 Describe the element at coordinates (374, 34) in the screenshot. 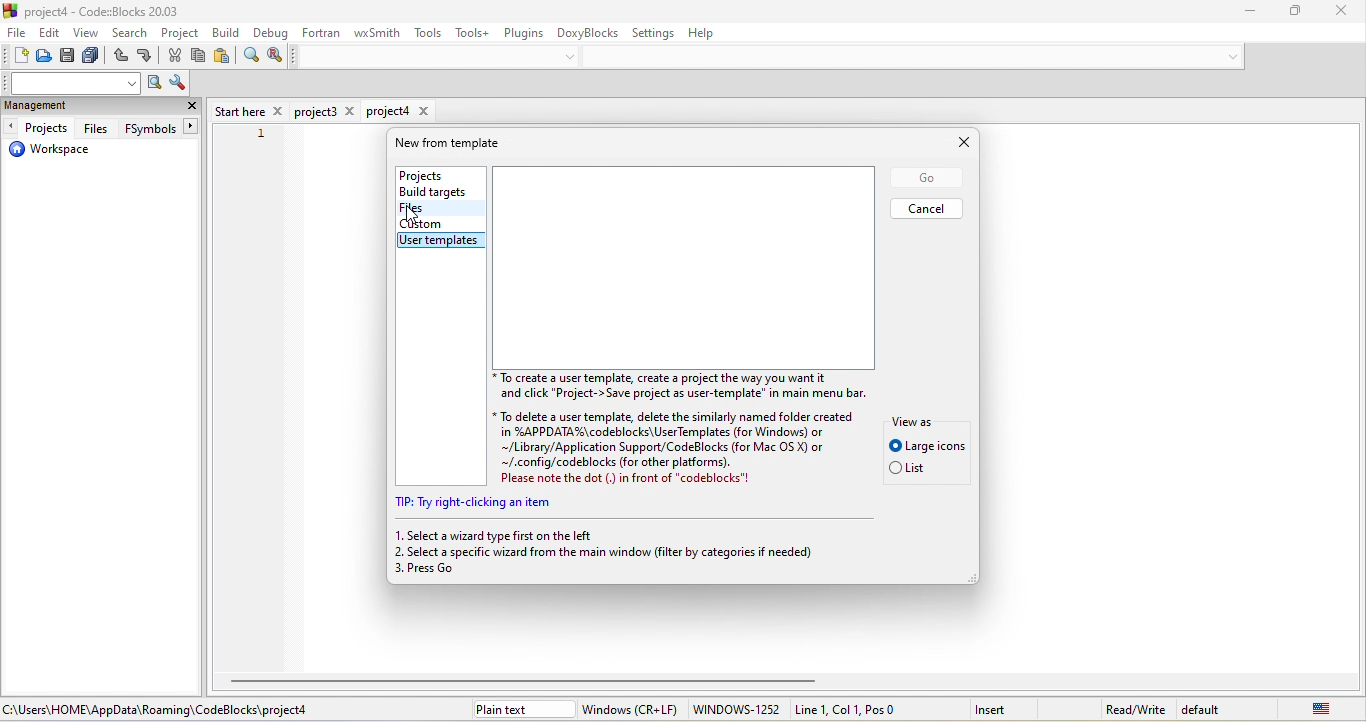

I see `wxsmith` at that location.